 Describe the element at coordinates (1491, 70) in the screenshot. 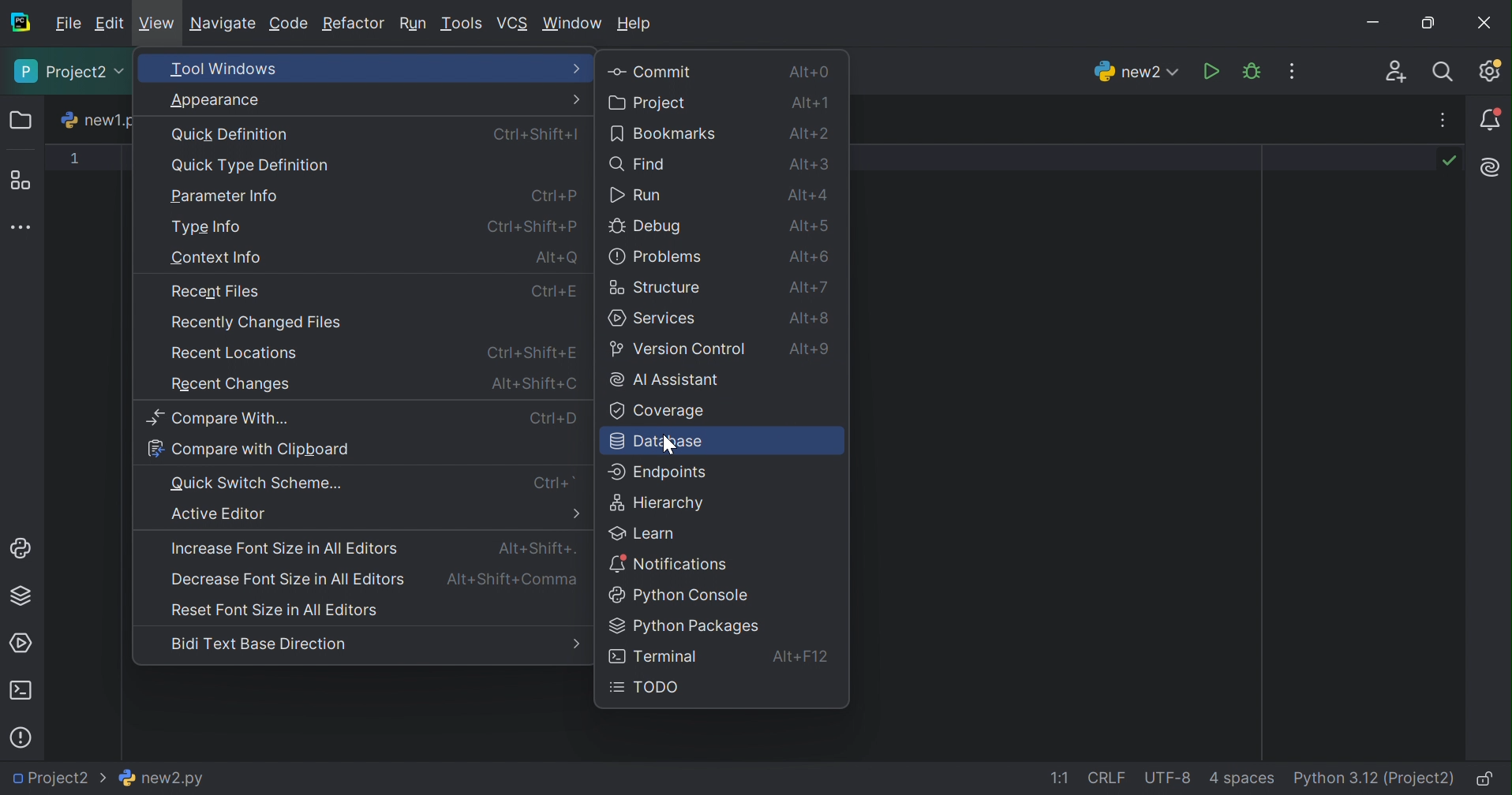

I see `Updates available. IDE and Project Settings` at that location.